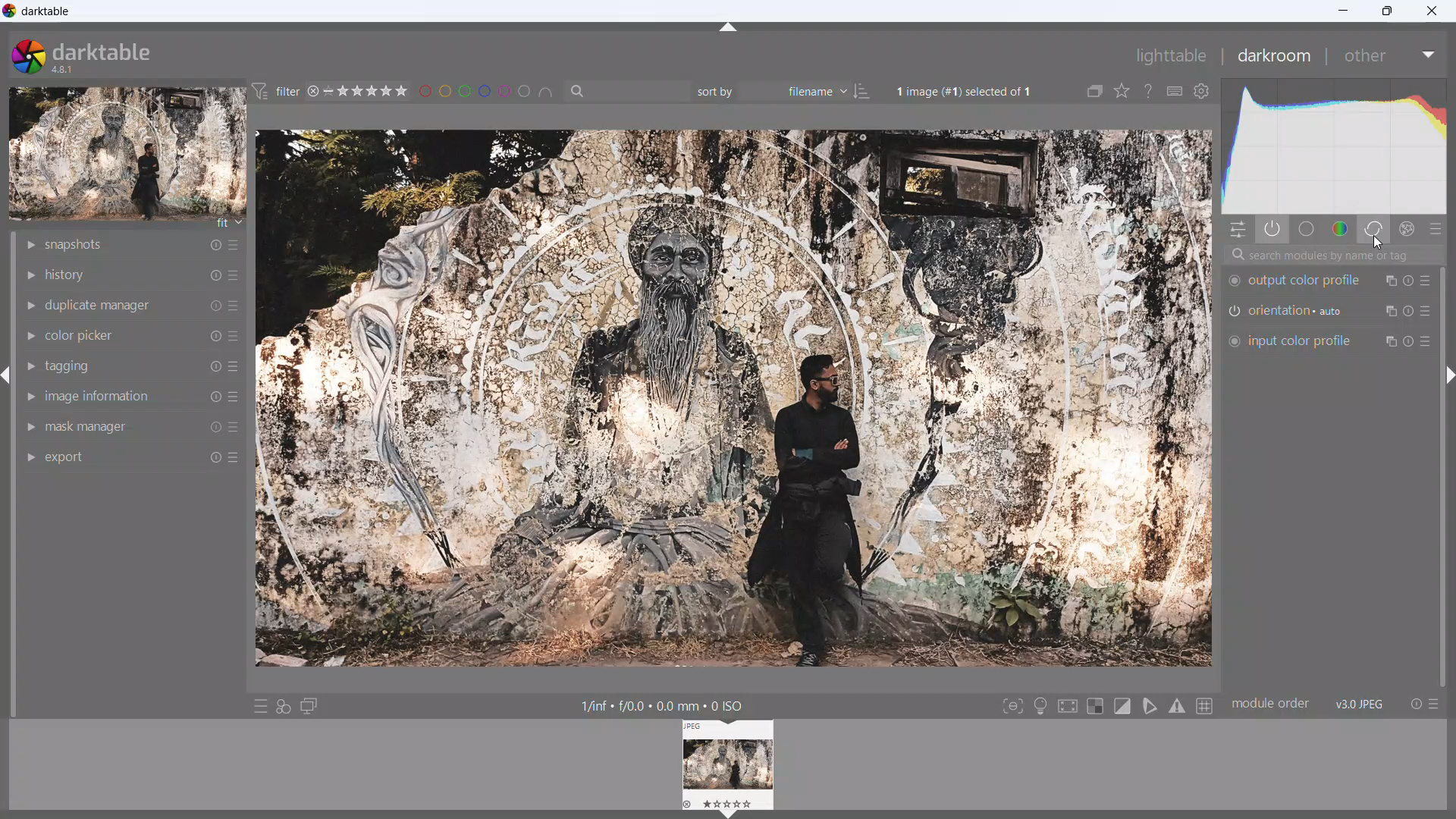  What do you see at coordinates (1345, 11) in the screenshot?
I see `minimize` at bounding box center [1345, 11].